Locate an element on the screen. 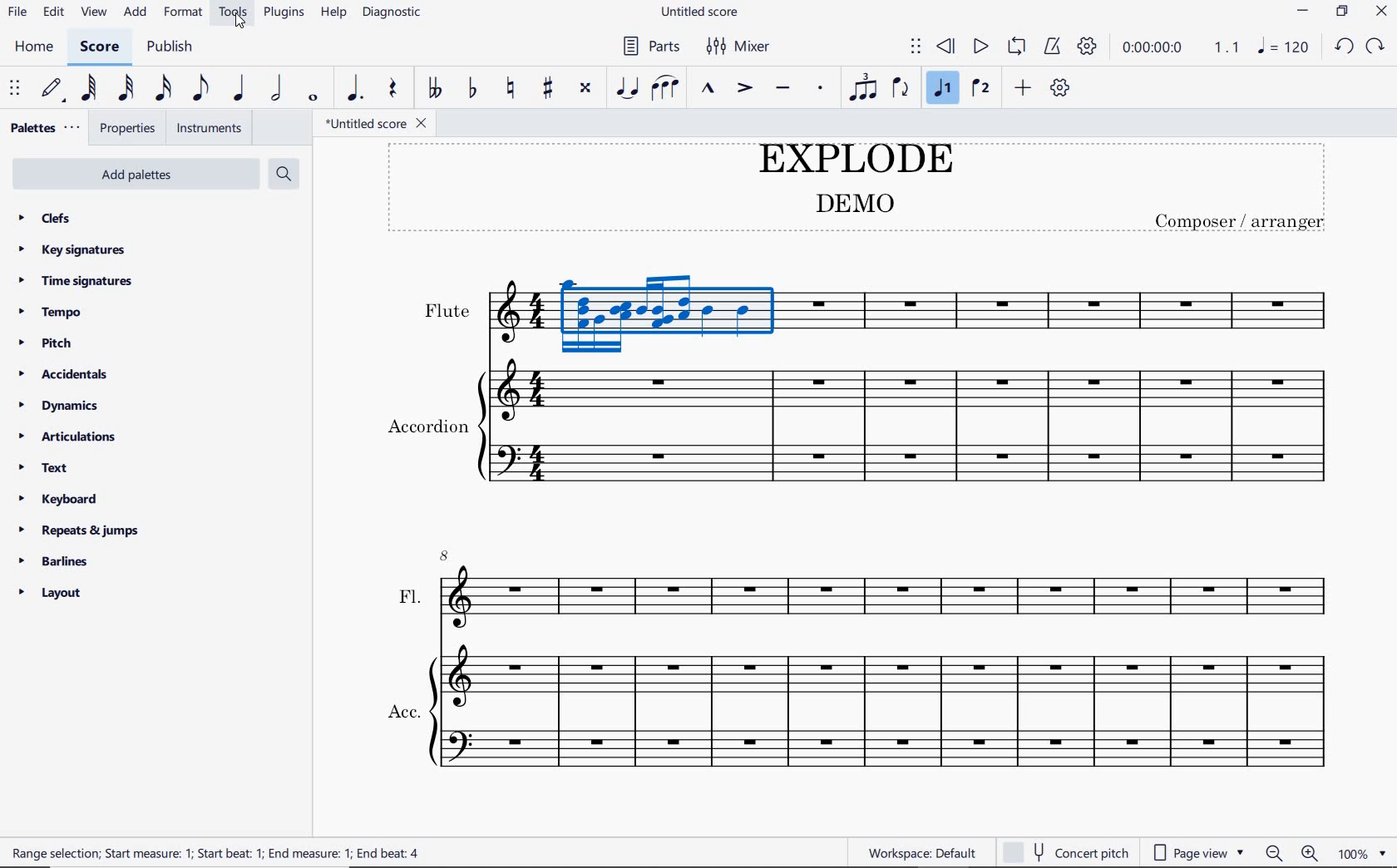  accidentals is located at coordinates (68, 374).